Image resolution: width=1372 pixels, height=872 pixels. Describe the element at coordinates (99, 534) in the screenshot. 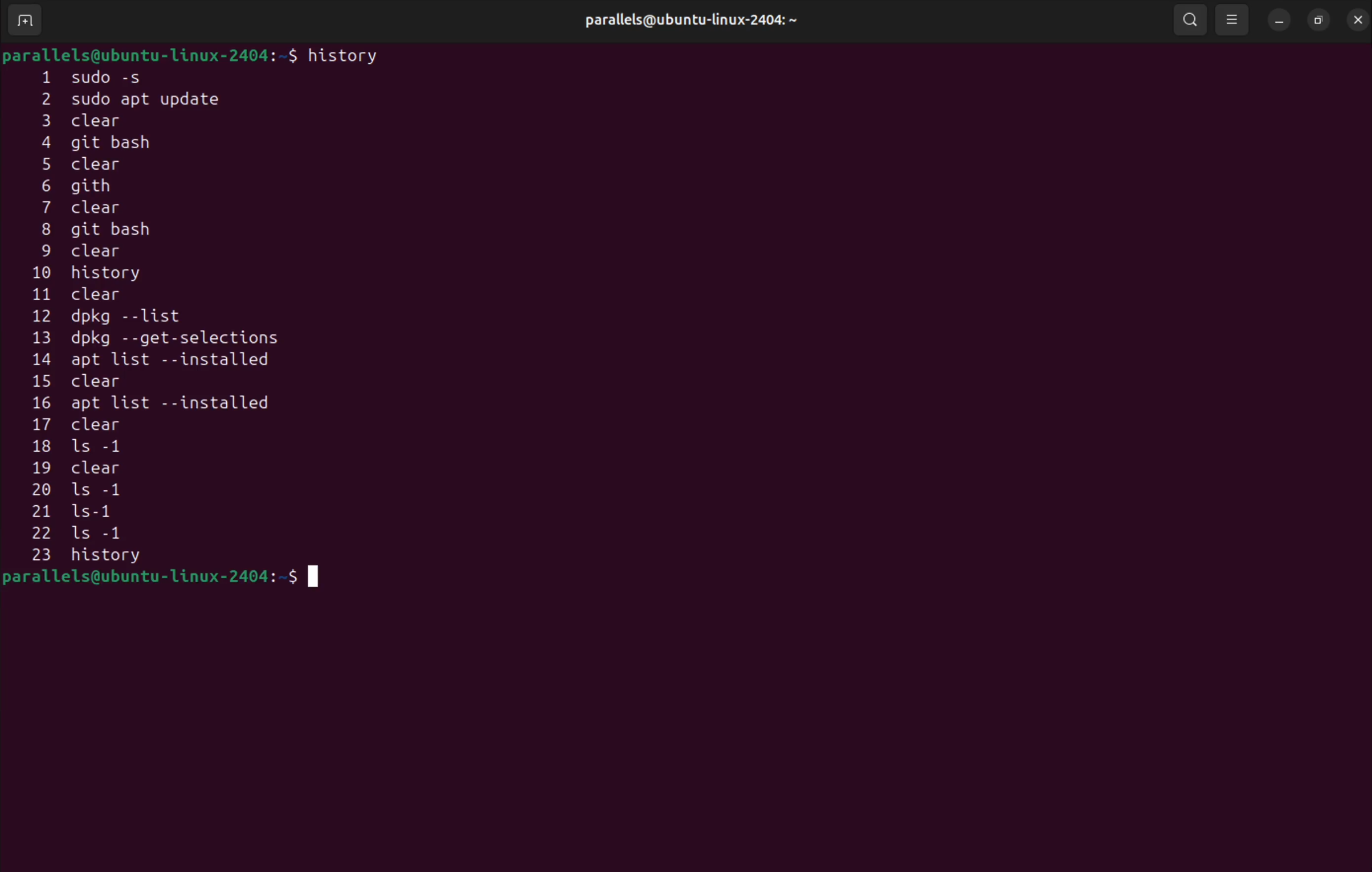

I see `22 ls -1` at that location.